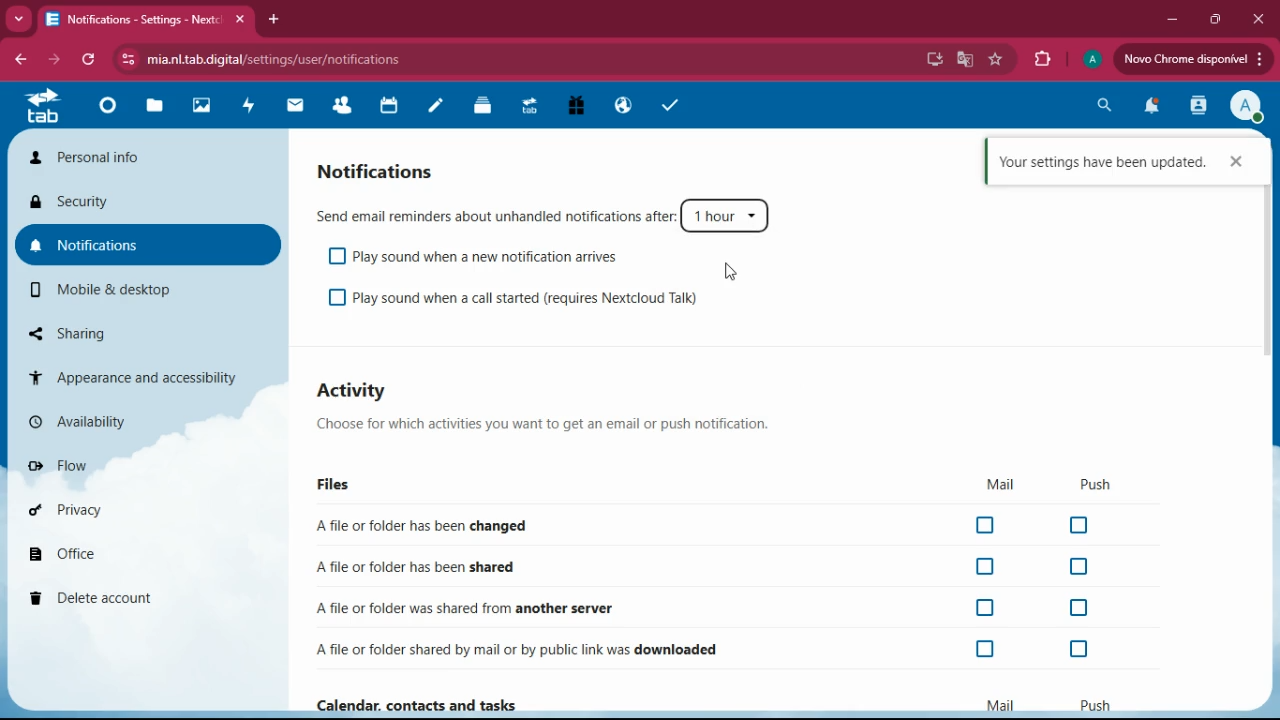 This screenshot has width=1280, height=720. Describe the element at coordinates (338, 484) in the screenshot. I see `files` at that location.